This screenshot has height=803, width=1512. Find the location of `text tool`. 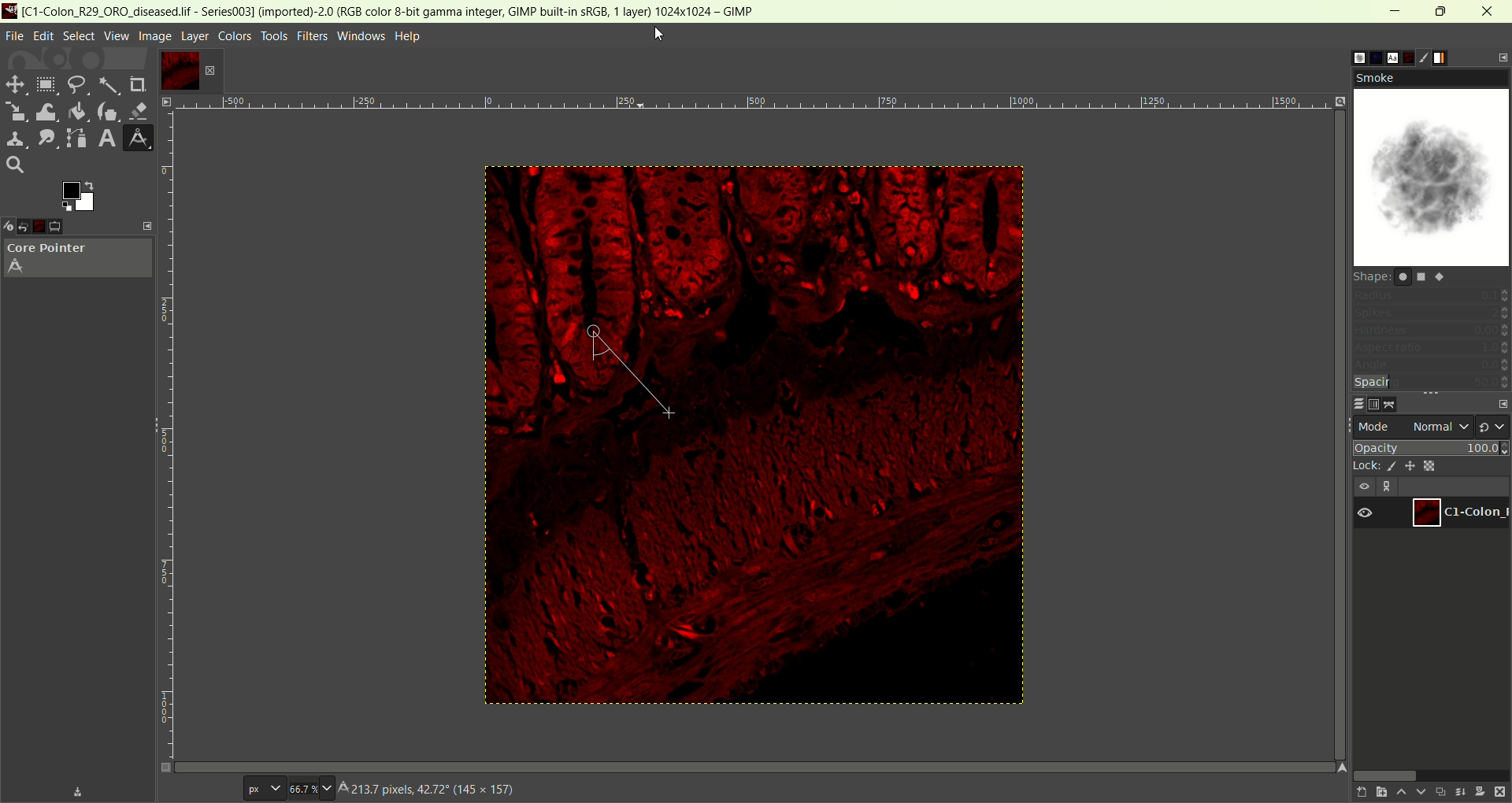

text tool is located at coordinates (106, 139).